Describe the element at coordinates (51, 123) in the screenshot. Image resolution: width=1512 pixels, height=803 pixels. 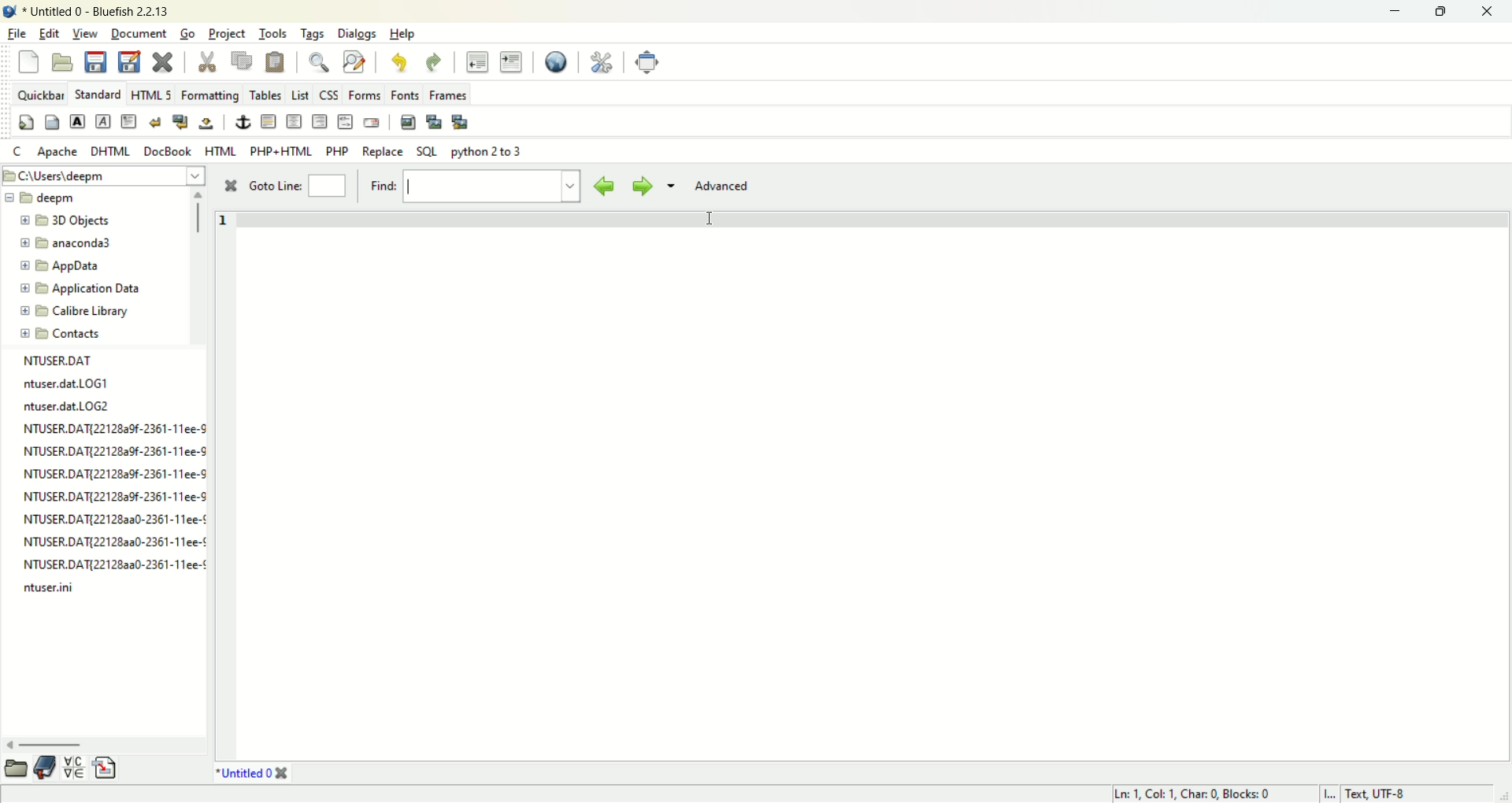
I see `body` at that location.